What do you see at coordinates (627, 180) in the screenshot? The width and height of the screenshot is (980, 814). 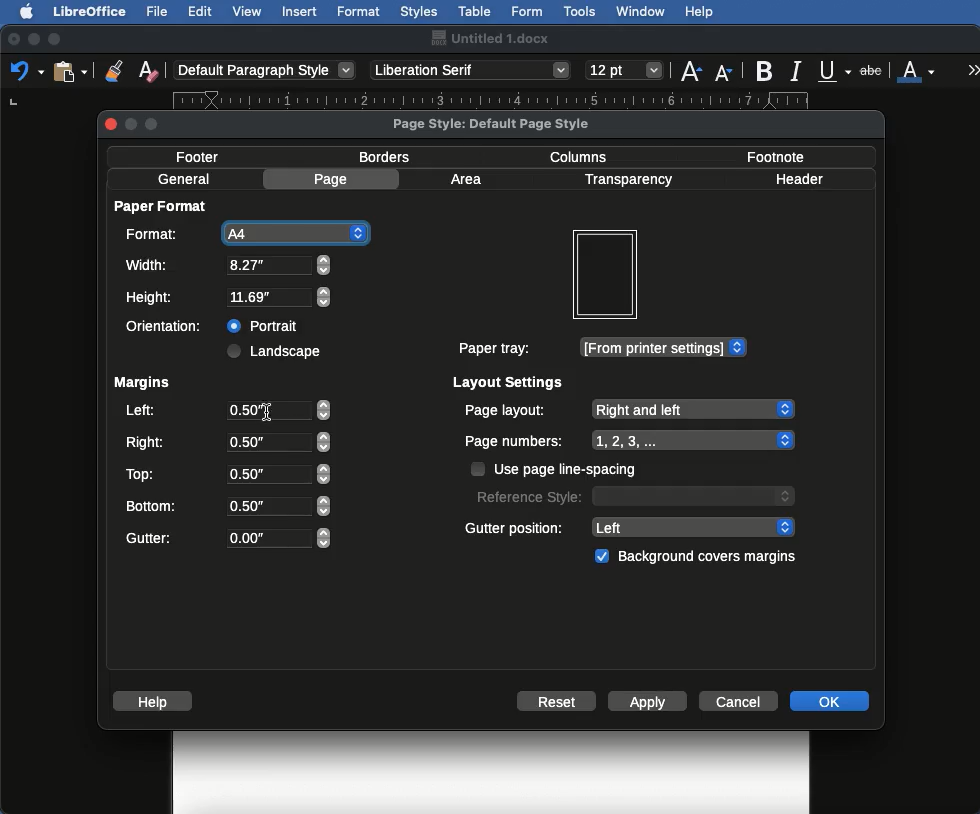 I see `Transparency` at bounding box center [627, 180].